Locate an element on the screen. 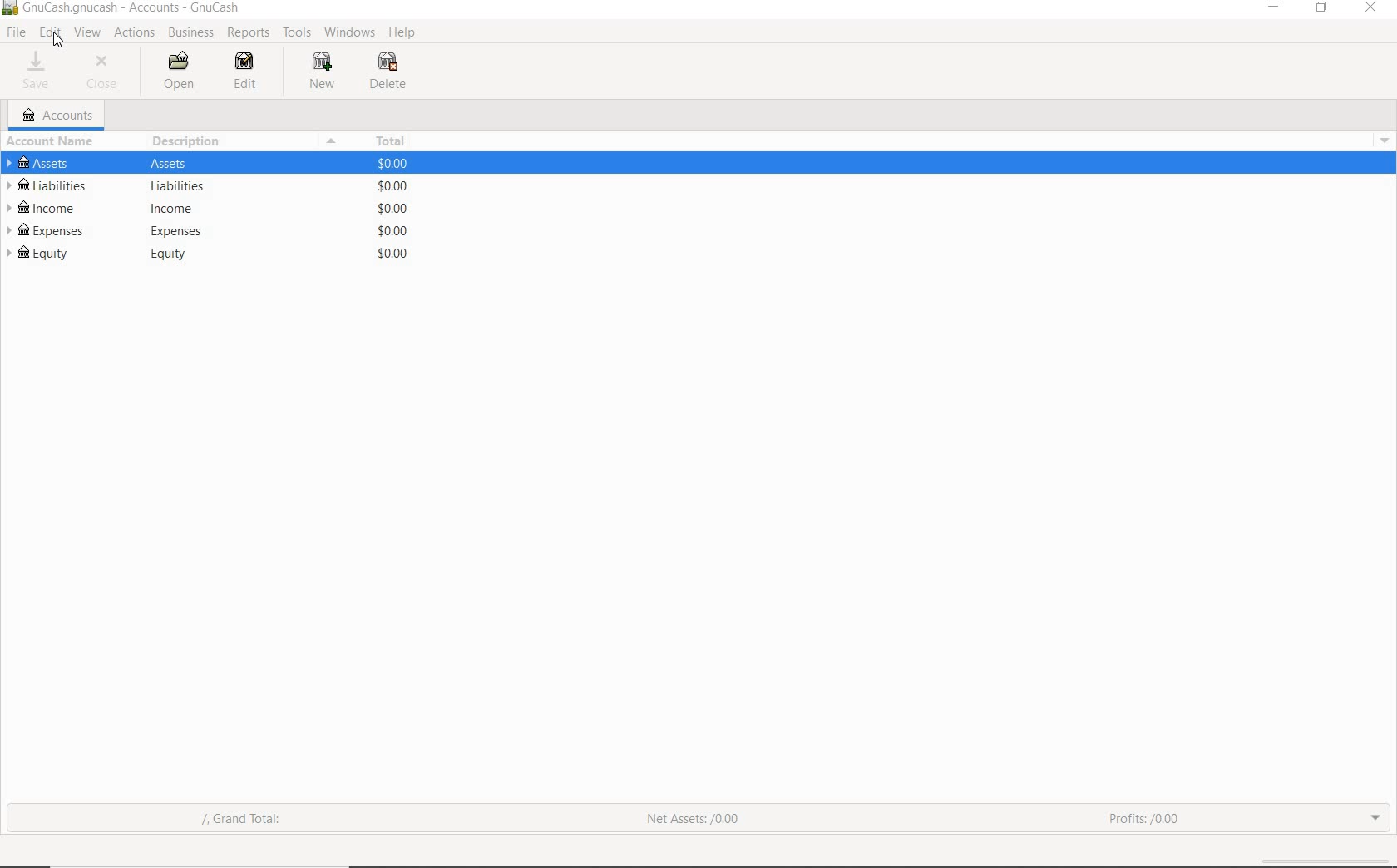   is located at coordinates (404, 256).